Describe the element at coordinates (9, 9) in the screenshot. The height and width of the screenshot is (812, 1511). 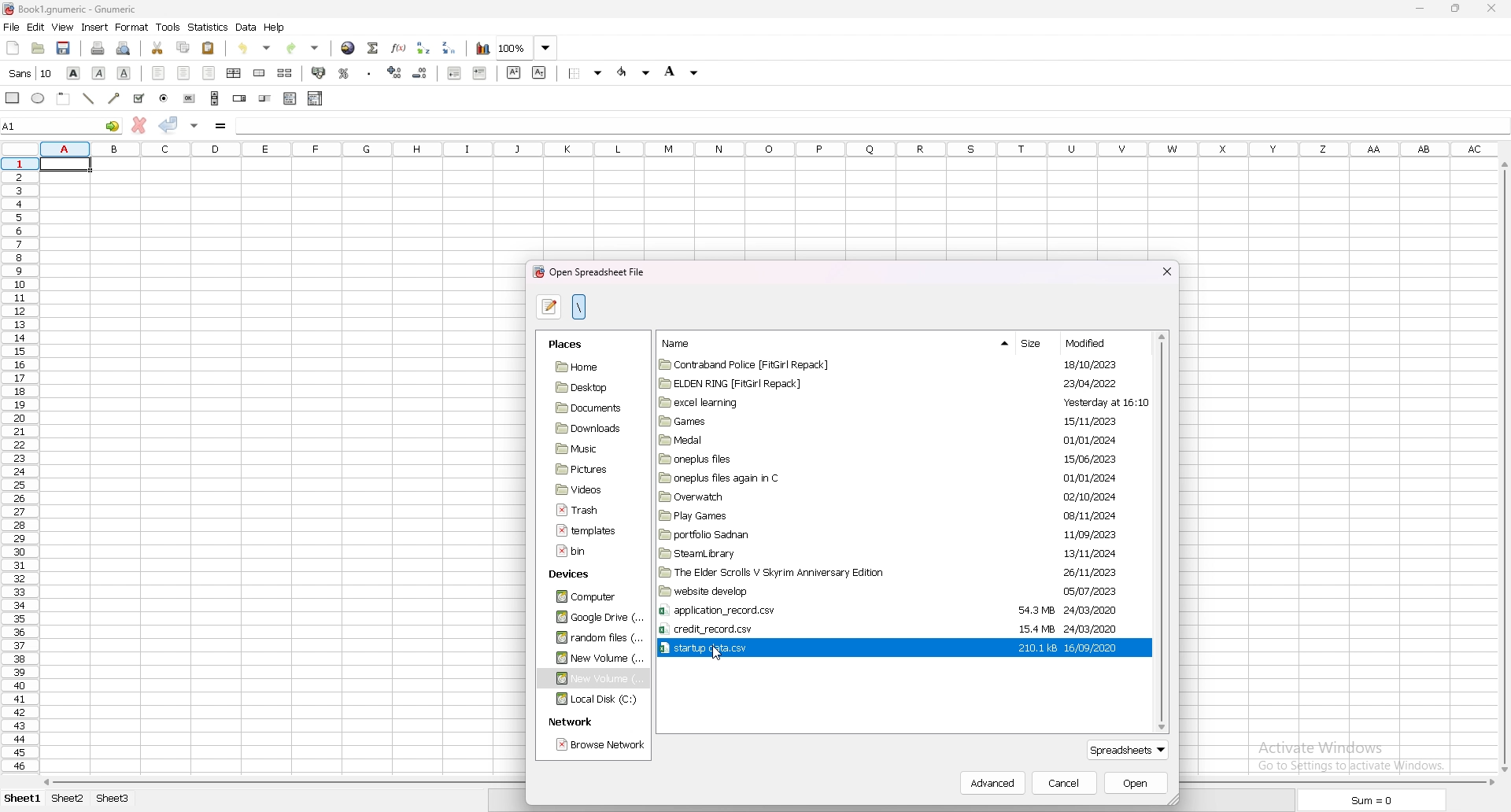
I see `logo` at that location.